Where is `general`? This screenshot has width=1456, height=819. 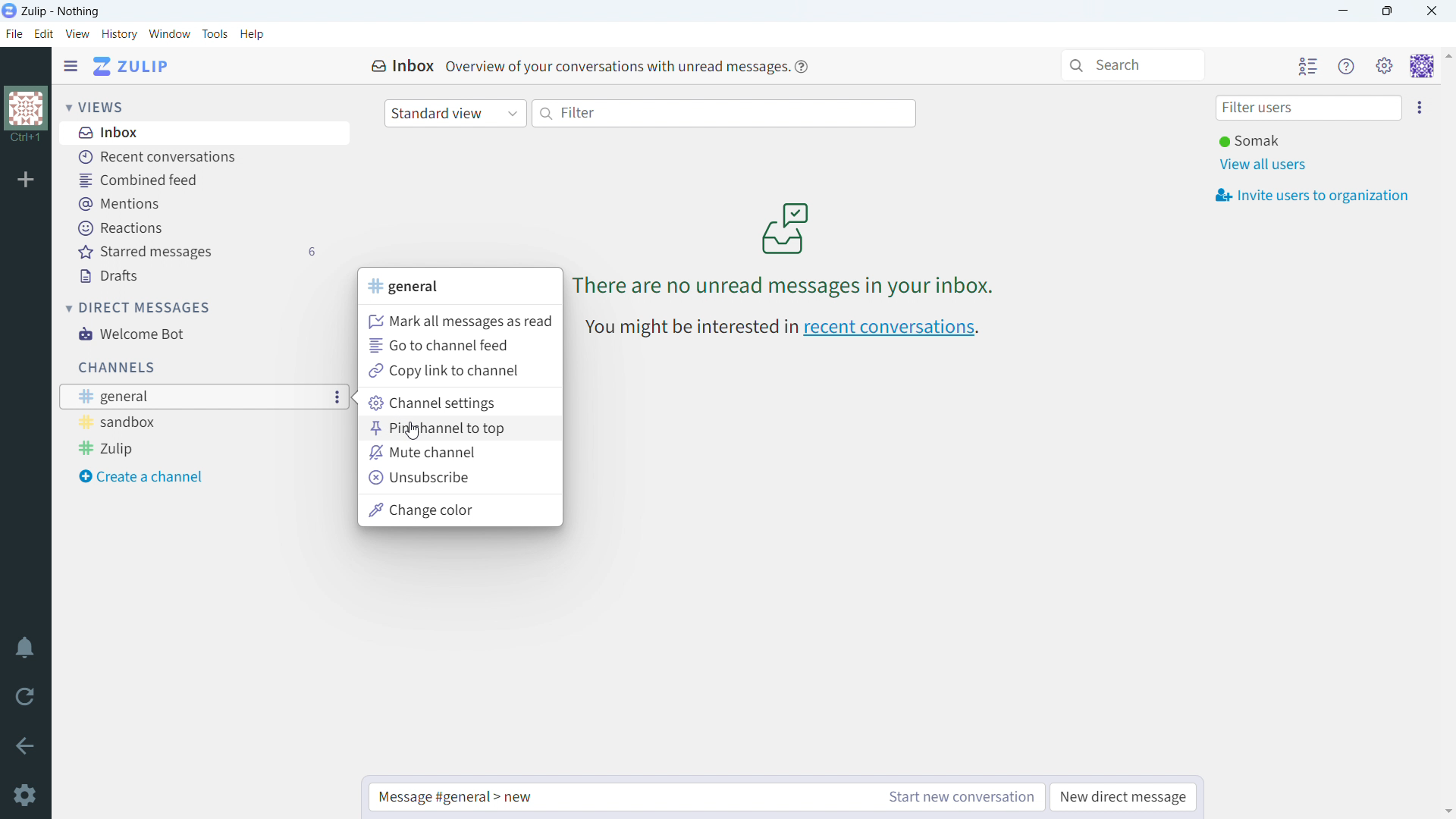
general is located at coordinates (177, 397).